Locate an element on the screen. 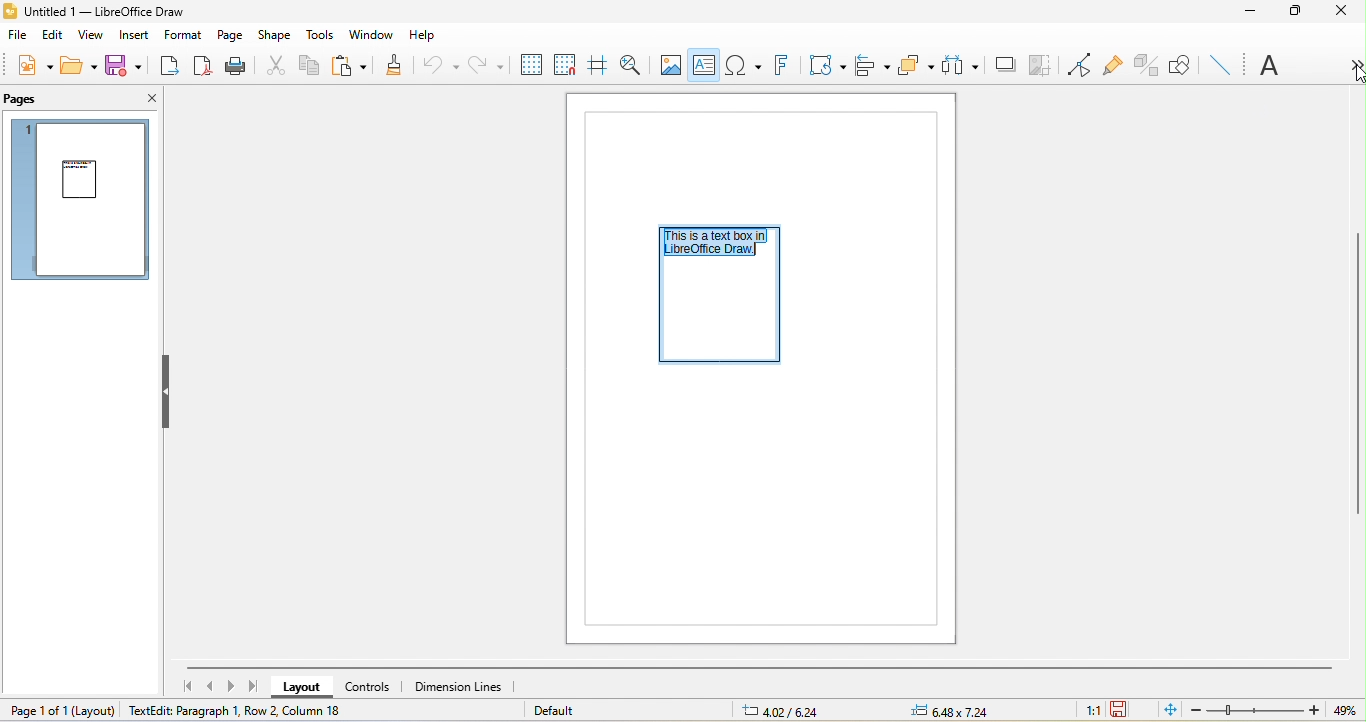 The width and height of the screenshot is (1366, 722). close is located at coordinates (1341, 14).